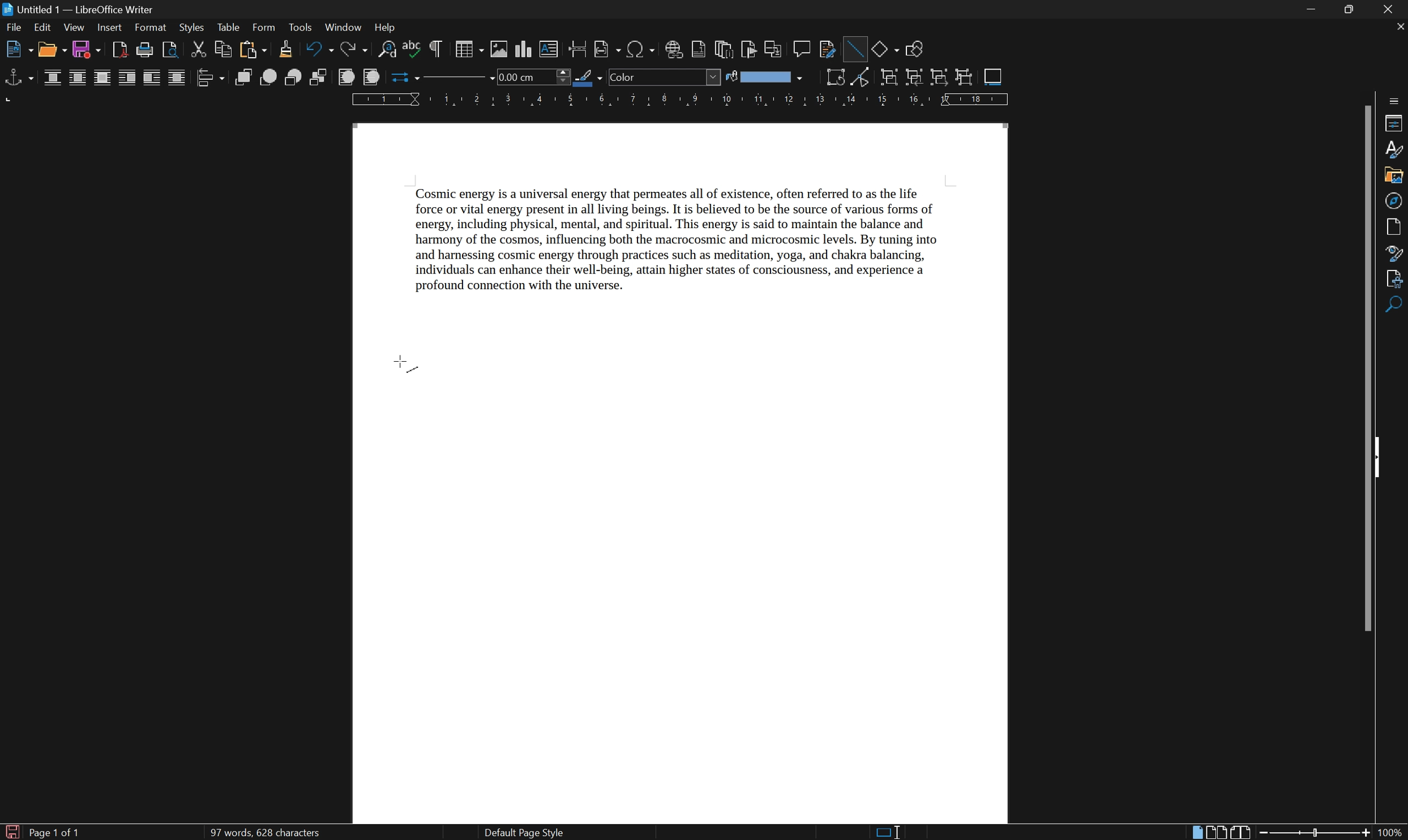  What do you see at coordinates (401, 78) in the screenshot?
I see `select start and end arrowheads lines` at bounding box center [401, 78].